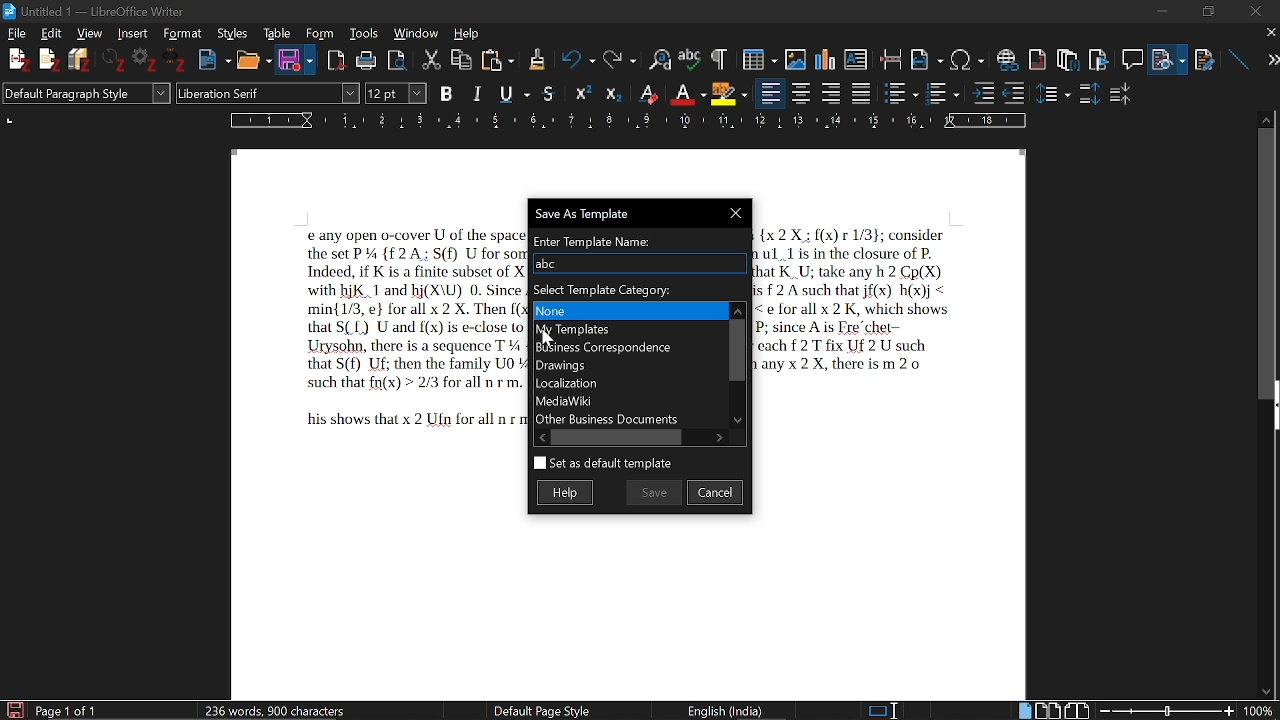 This screenshot has width=1280, height=720. Describe the element at coordinates (687, 91) in the screenshot. I see `Subscript` at that location.